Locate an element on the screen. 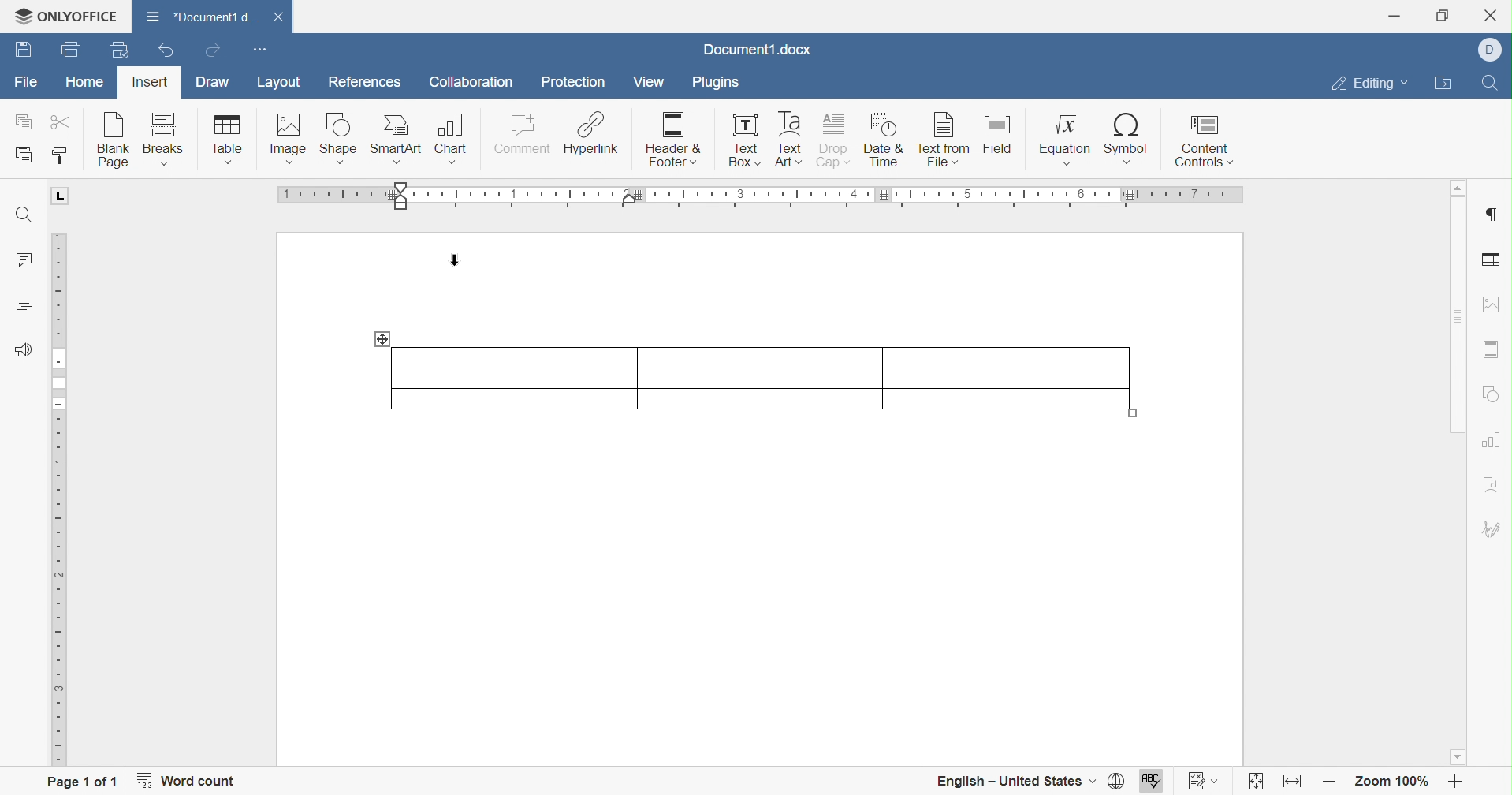  Zoom in is located at coordinates (1455, 782).